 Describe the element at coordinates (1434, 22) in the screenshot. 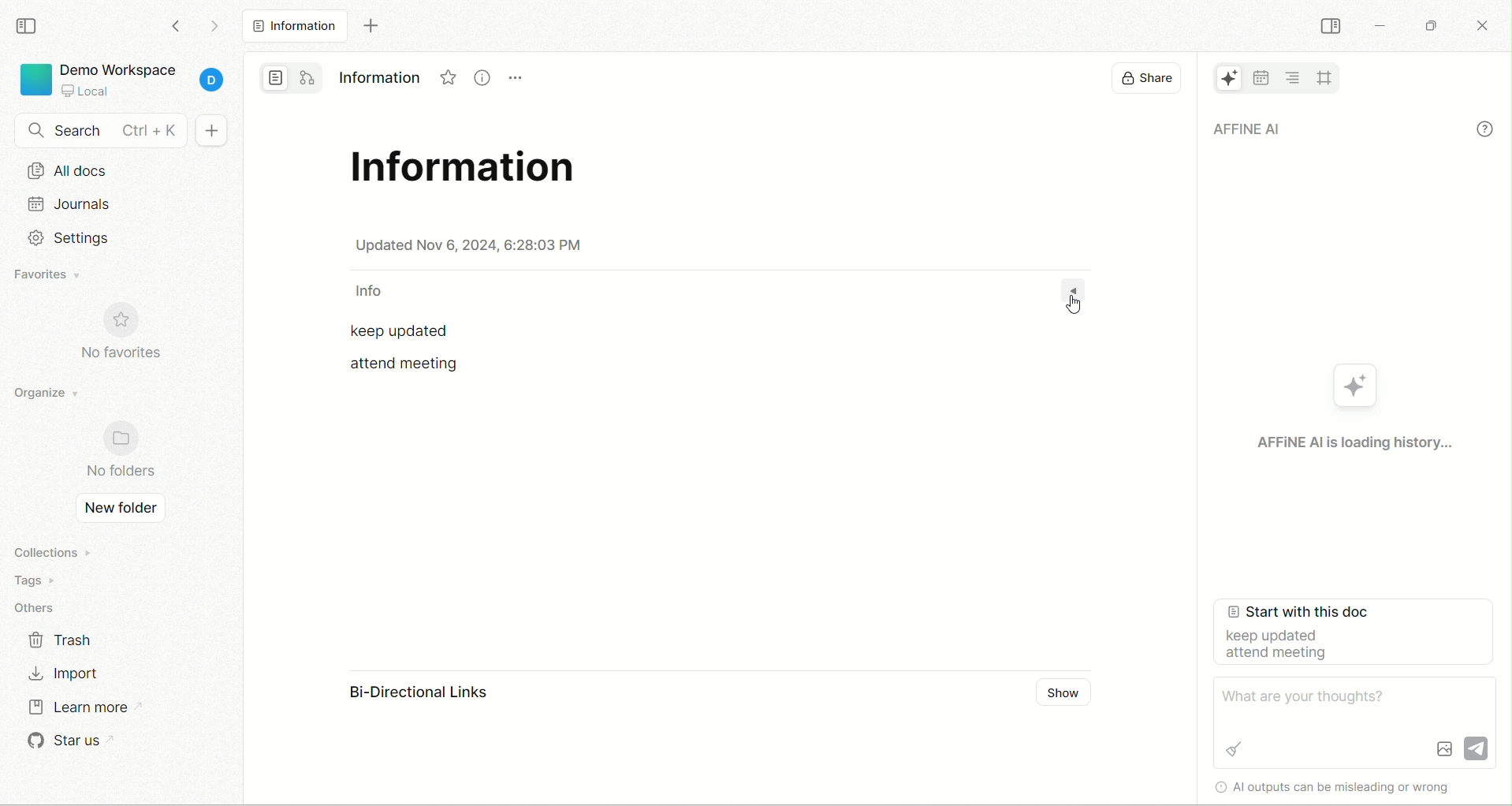

I see `maximize` at that location.